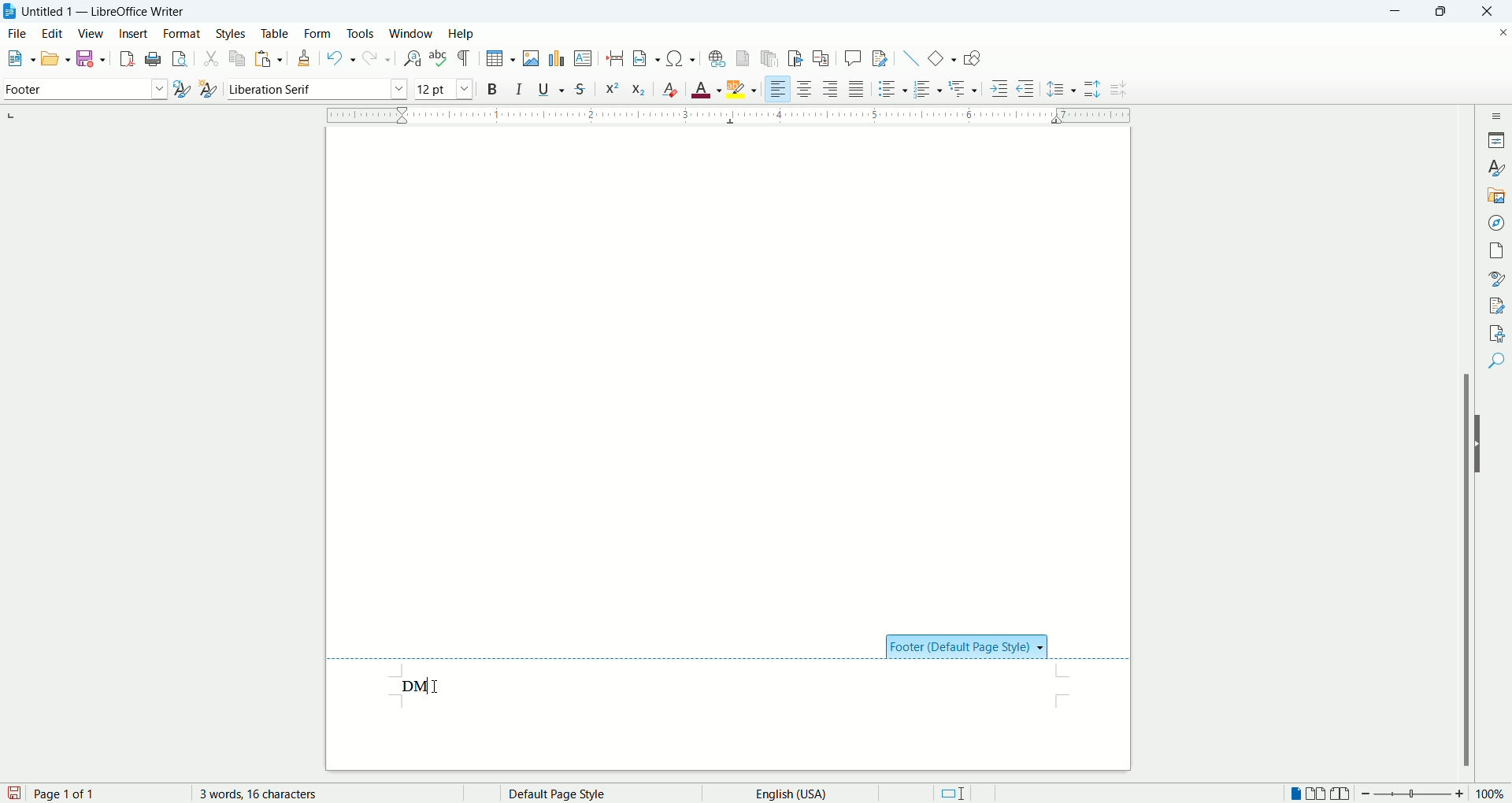 The width and height of the screenshot is (1512, 803). Describe the element at coordinates (318, 32) in the screenshot. I see `form` at that location.